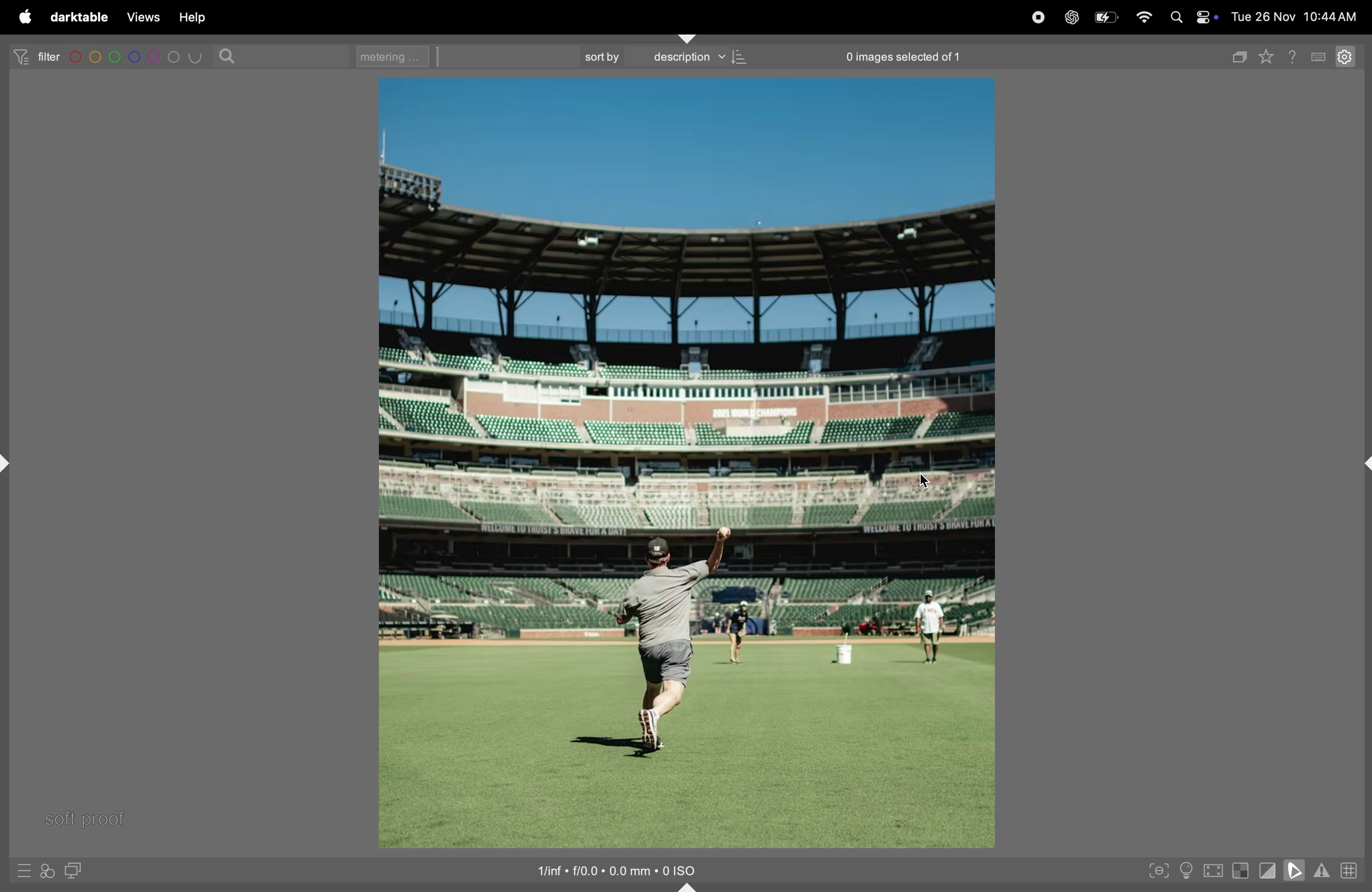 This screenshot has height=892, width=1372. Describe the element at coordinates (1345, 55) in the screenshot. I see `settings` at that location.